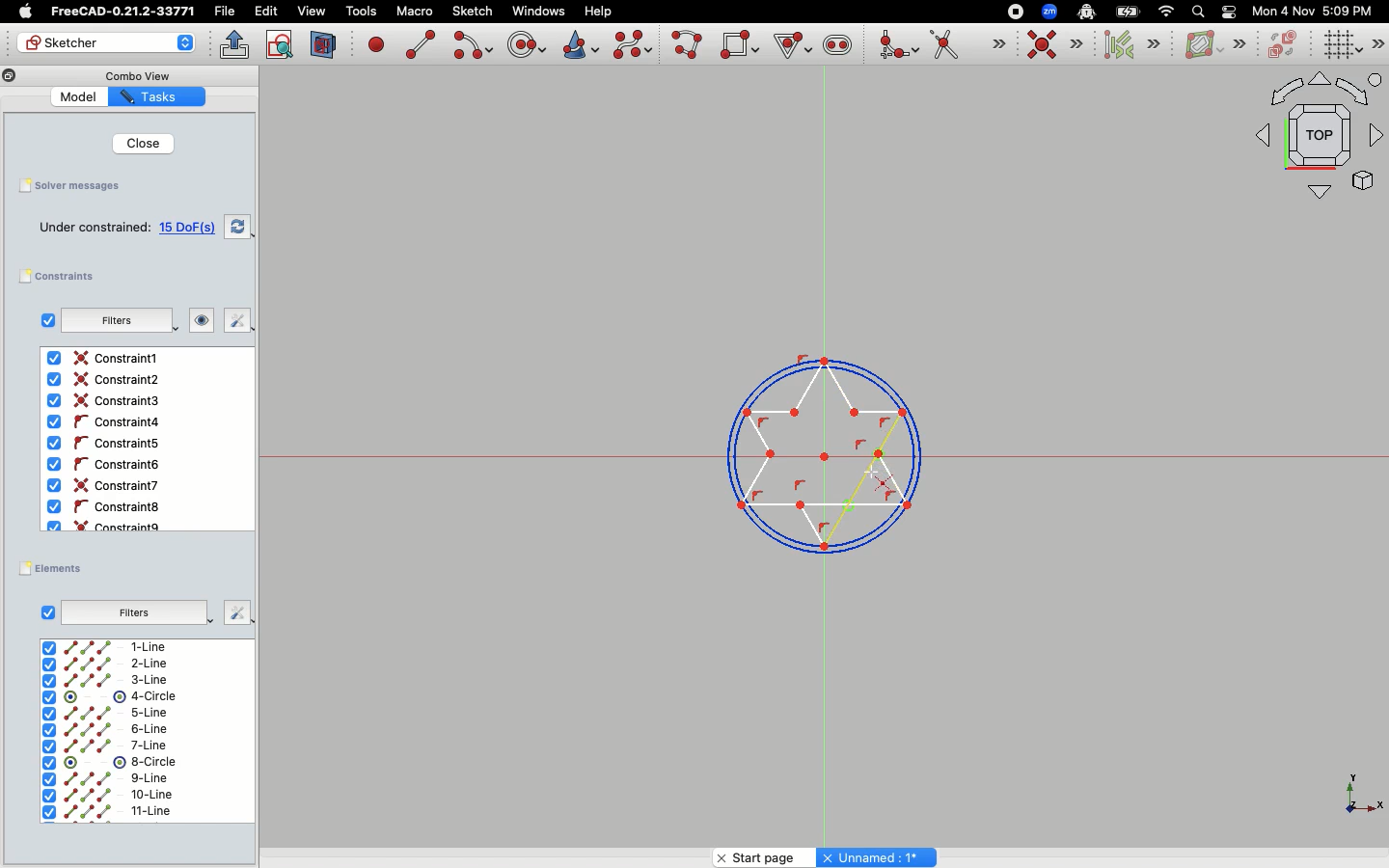  Describe the element at coordinates (107, 401) in the screenshot. I see `Contraint3` at that location.